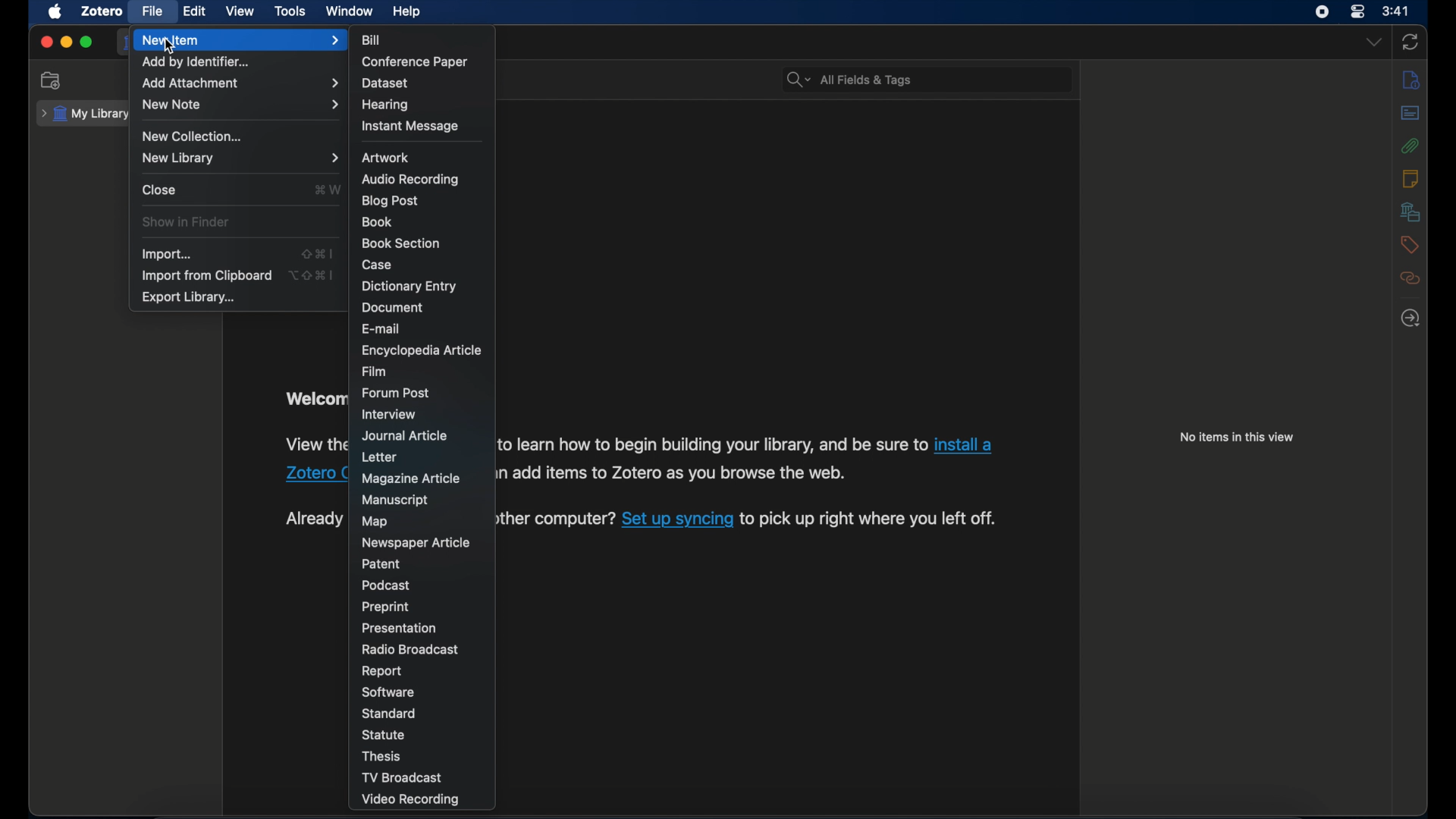 The height and width of the screenshot is (819, 1456). What do you see at coordinates (411, 650) in the screenshot?
I see `radio broadcast` at bounding box center [411, 650].